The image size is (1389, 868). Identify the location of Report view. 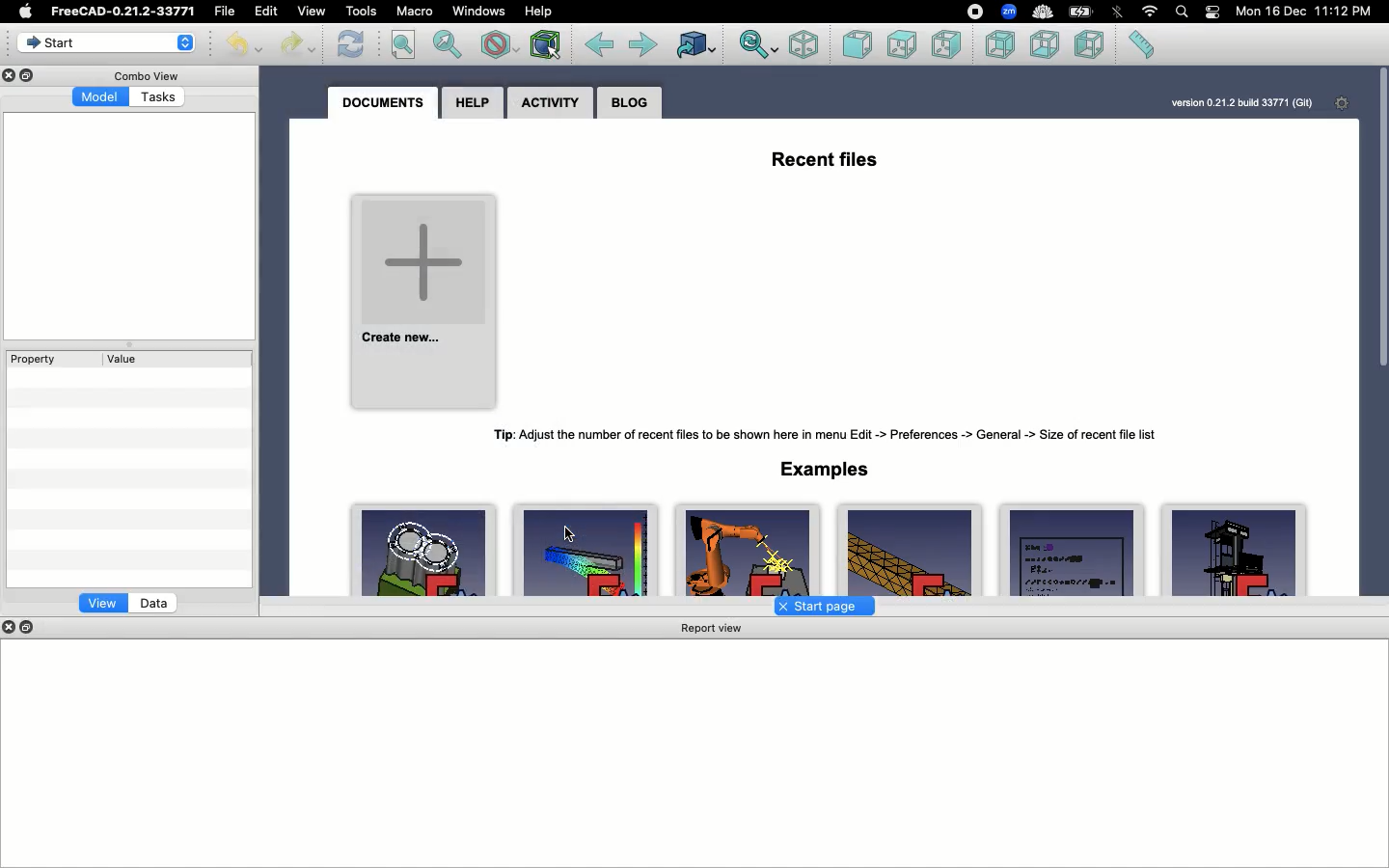
(706, 627).